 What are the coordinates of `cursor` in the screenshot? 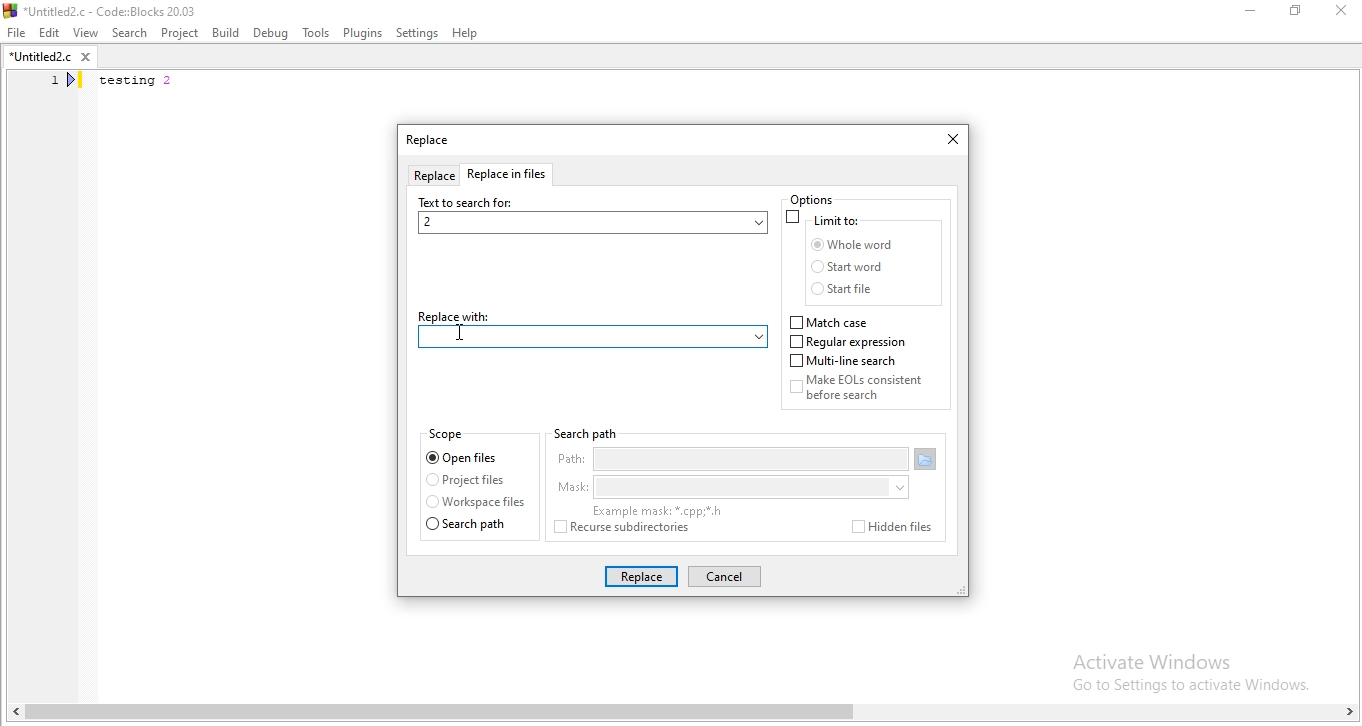 It's located at (462, 337).